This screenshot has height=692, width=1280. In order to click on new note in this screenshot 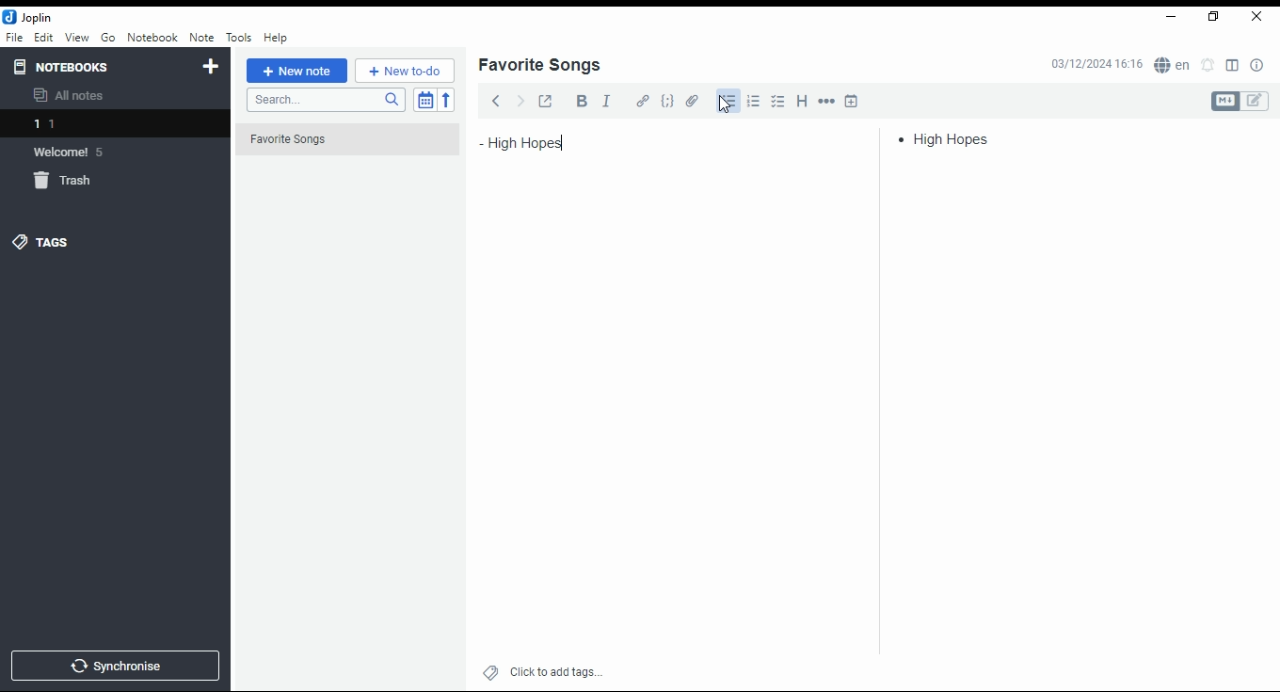, I will do `click(297, 71)`.